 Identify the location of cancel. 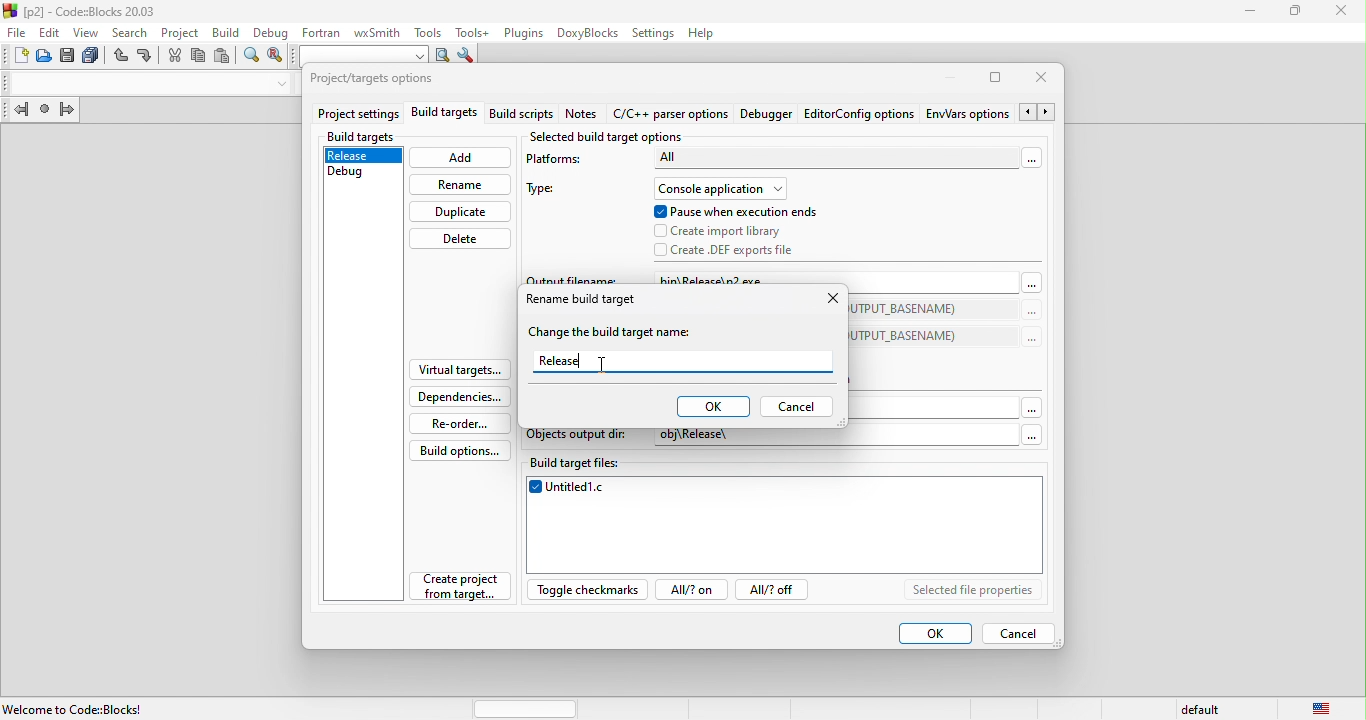
(796, 407).